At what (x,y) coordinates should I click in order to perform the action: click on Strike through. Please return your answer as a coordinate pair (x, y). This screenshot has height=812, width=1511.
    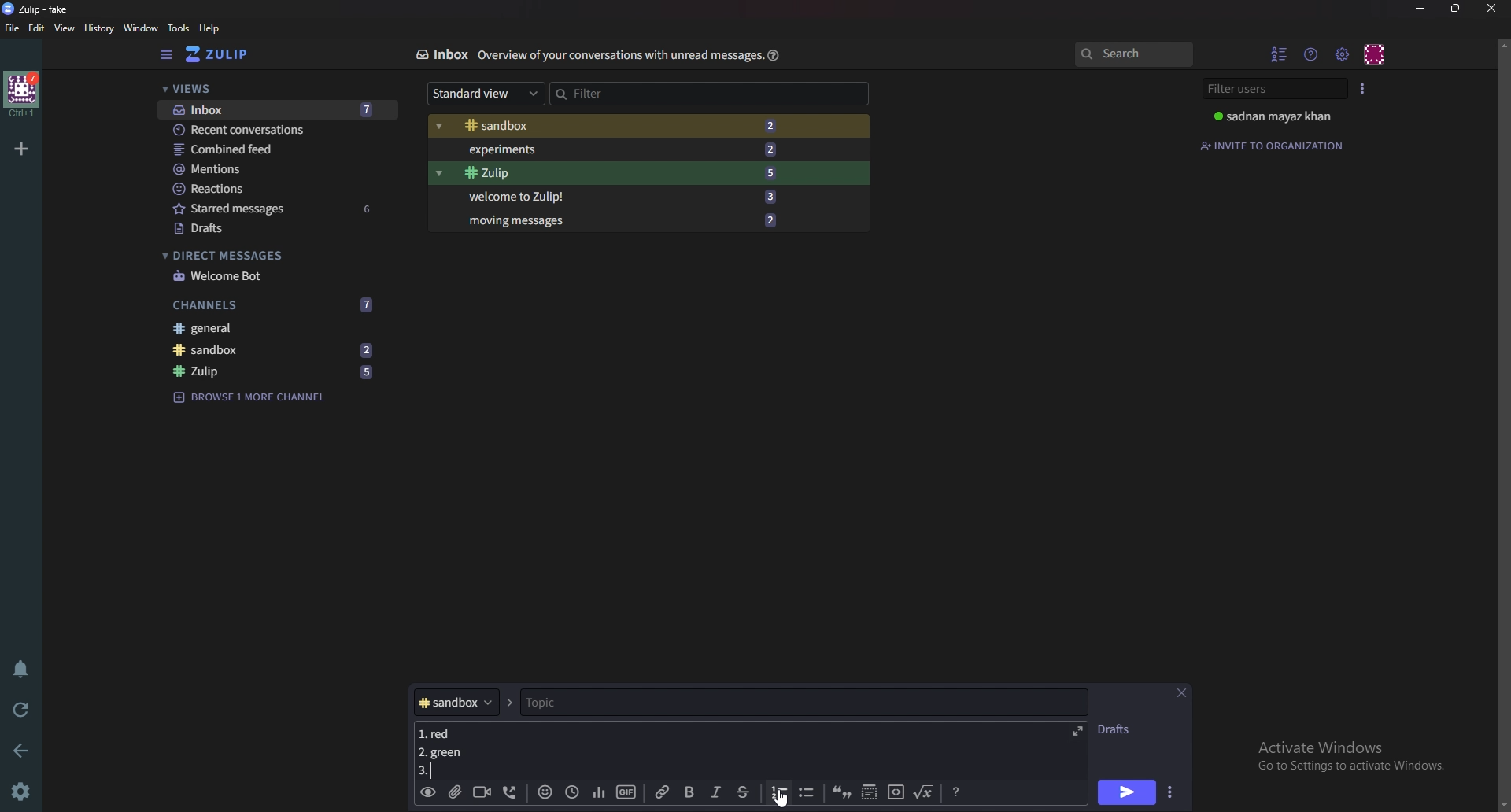
    Looking at the image, I should click on (744, 792).